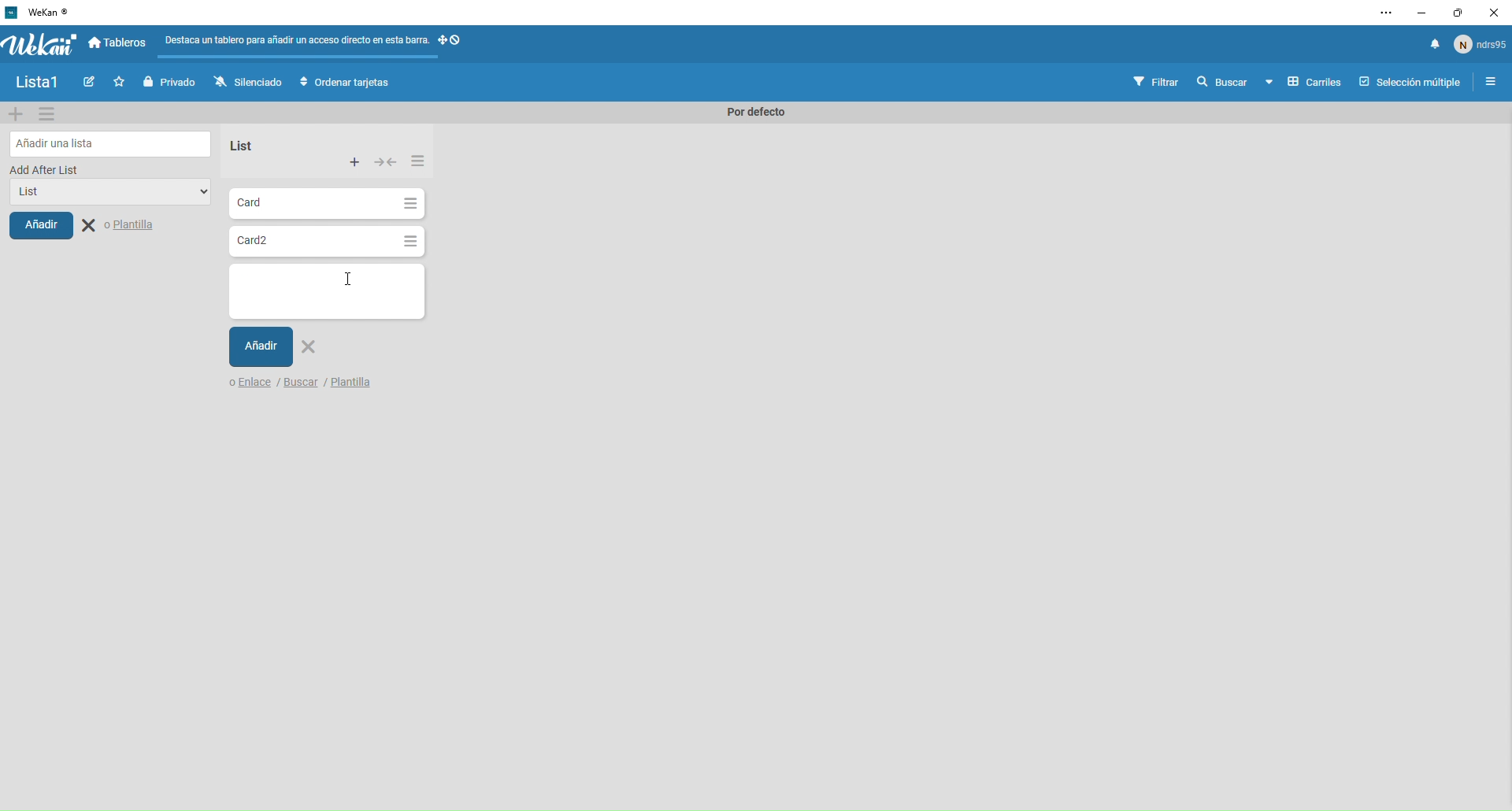  Describe the element at coordinates (48, 113) in the screenshot. I see `Menu` at that location.